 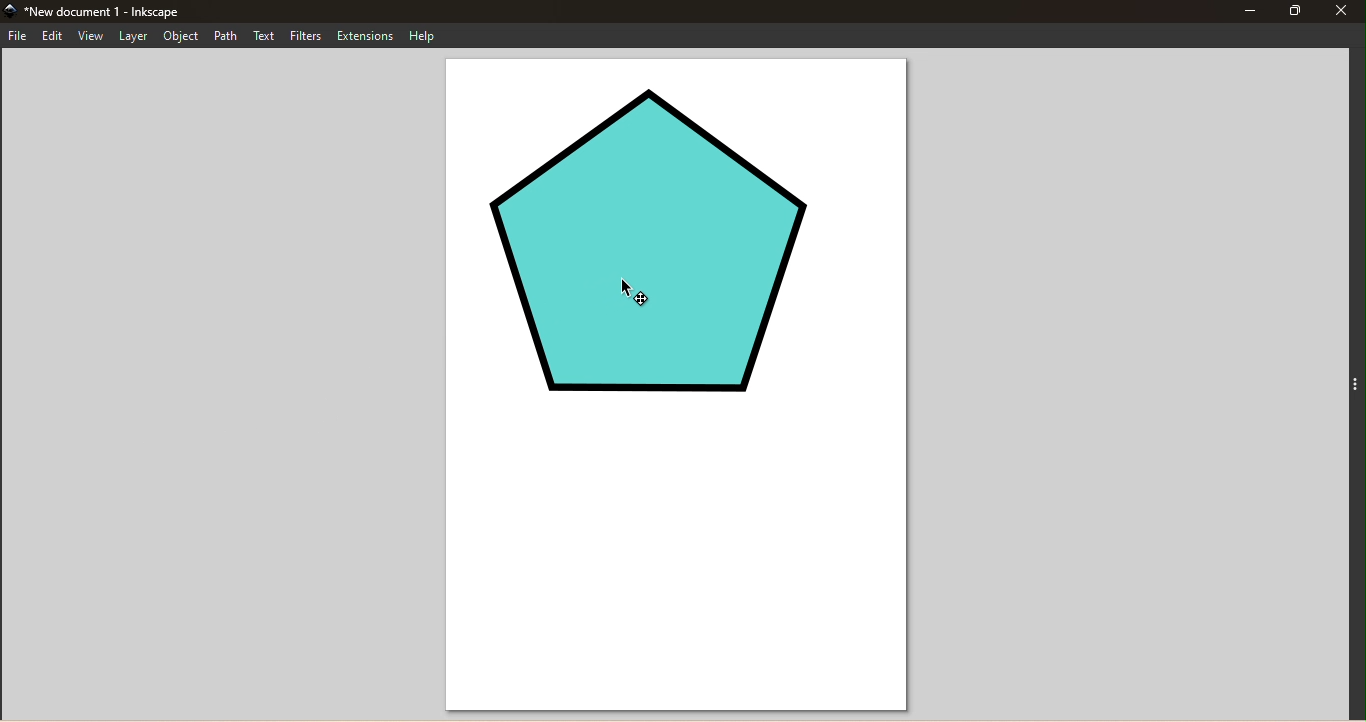 What do you see at coordinates (265, 35) in the screenshot?
I see `Text` at bounding box center [265, 35].